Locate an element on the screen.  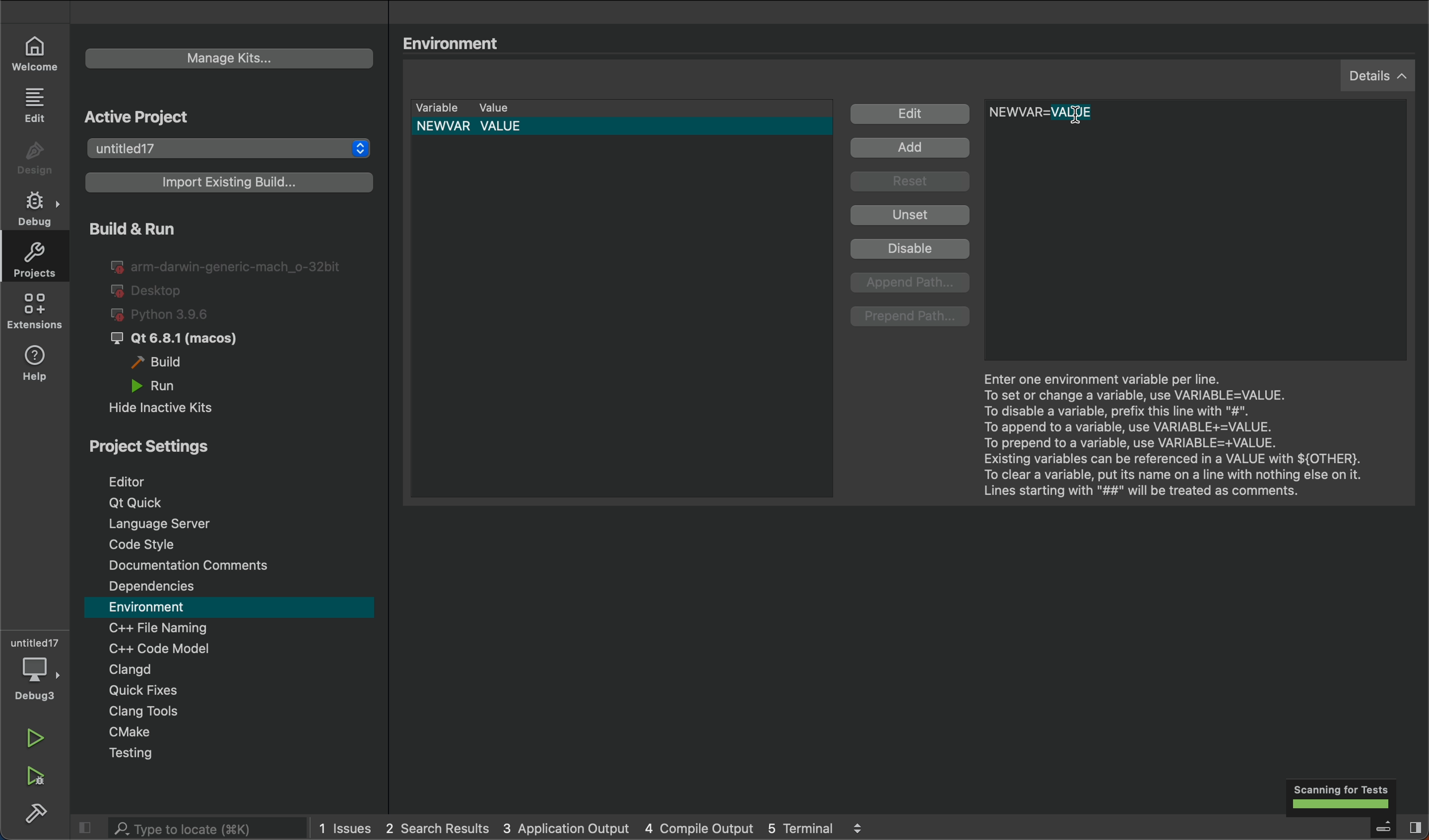
run is located at coordinates (43, 741).